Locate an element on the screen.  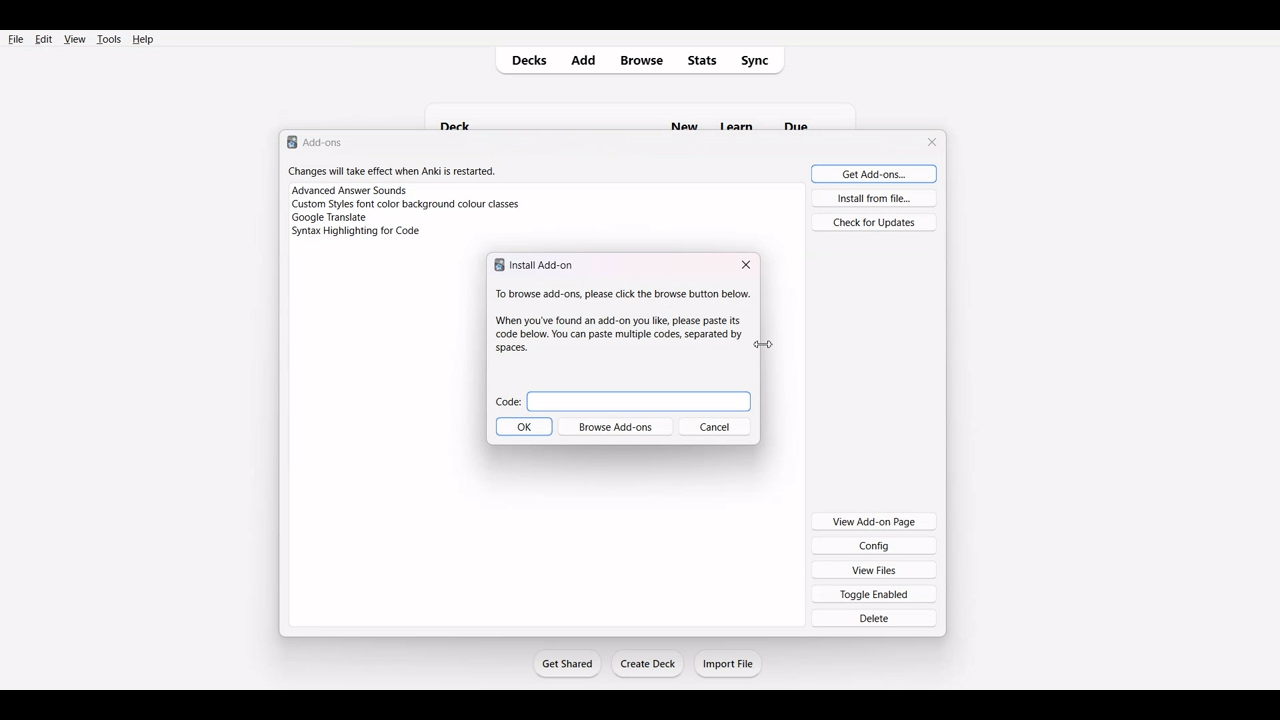
Toggle Enabled is located at coordinates (875, 593).